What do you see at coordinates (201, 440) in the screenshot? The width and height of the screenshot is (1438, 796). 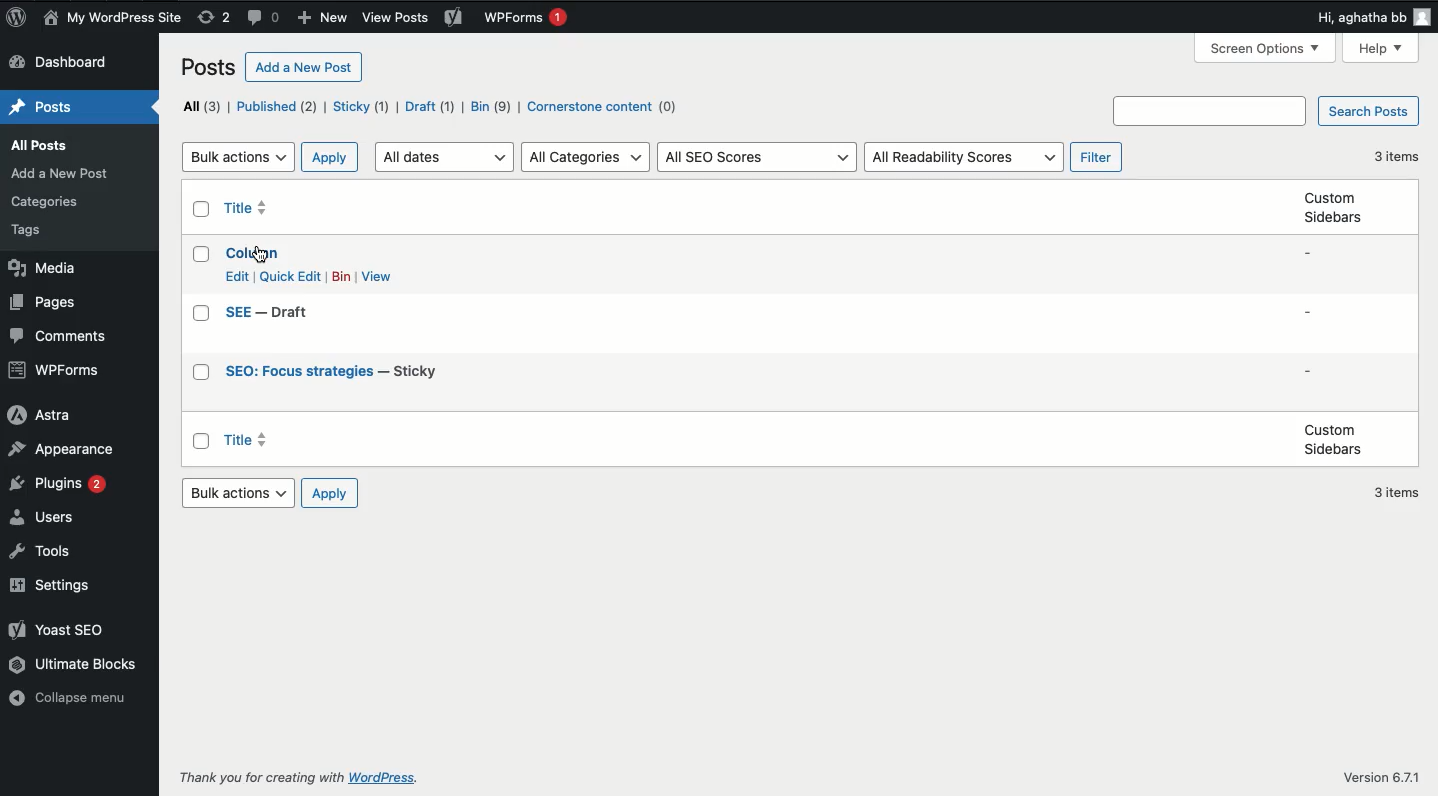 I see `Checkbox` at bounding box center [201, 440].